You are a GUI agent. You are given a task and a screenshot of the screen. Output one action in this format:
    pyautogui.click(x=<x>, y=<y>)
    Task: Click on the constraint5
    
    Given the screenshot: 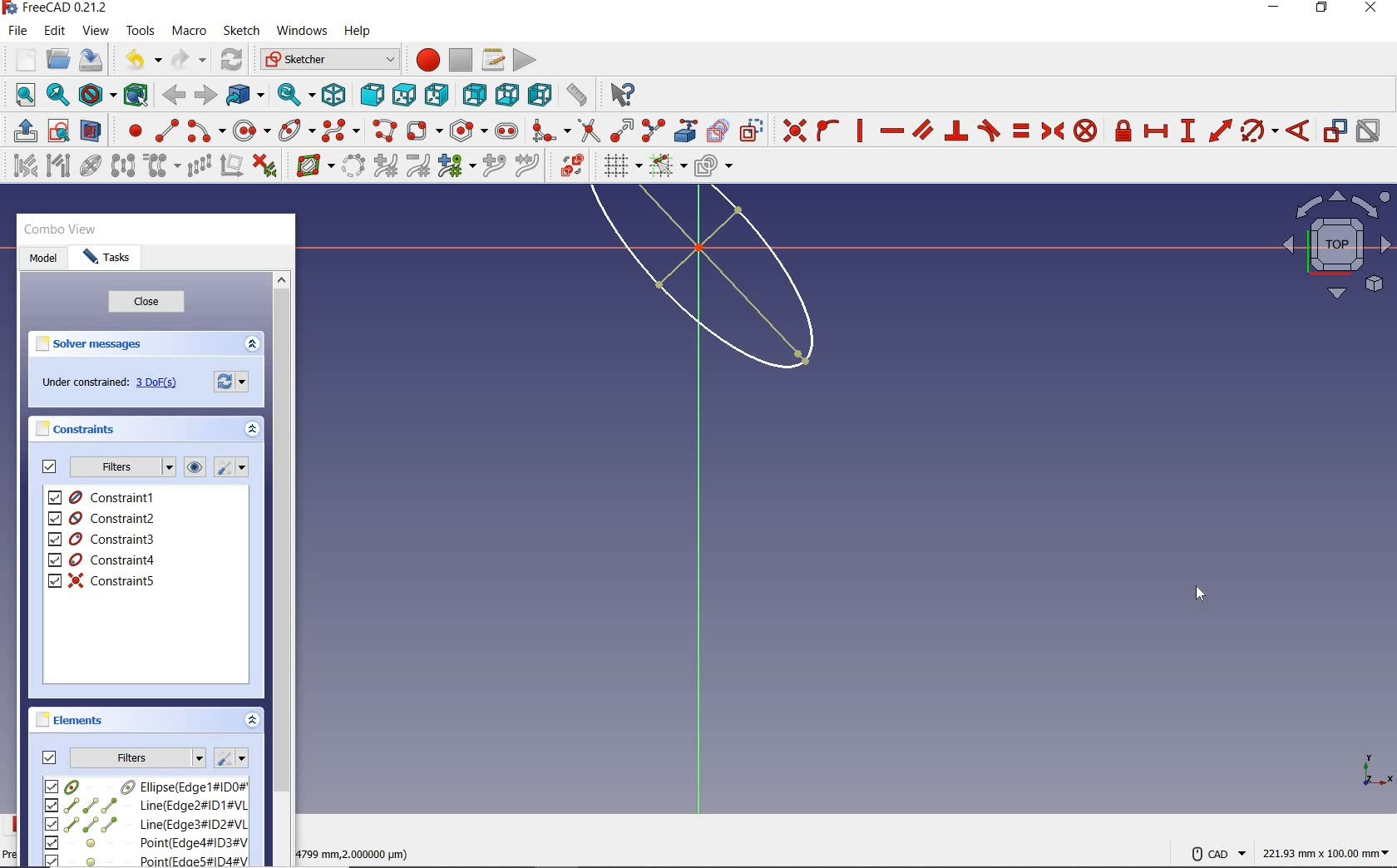 What is the action you would take?
    pyautogui.click(x=102, y=580)
    